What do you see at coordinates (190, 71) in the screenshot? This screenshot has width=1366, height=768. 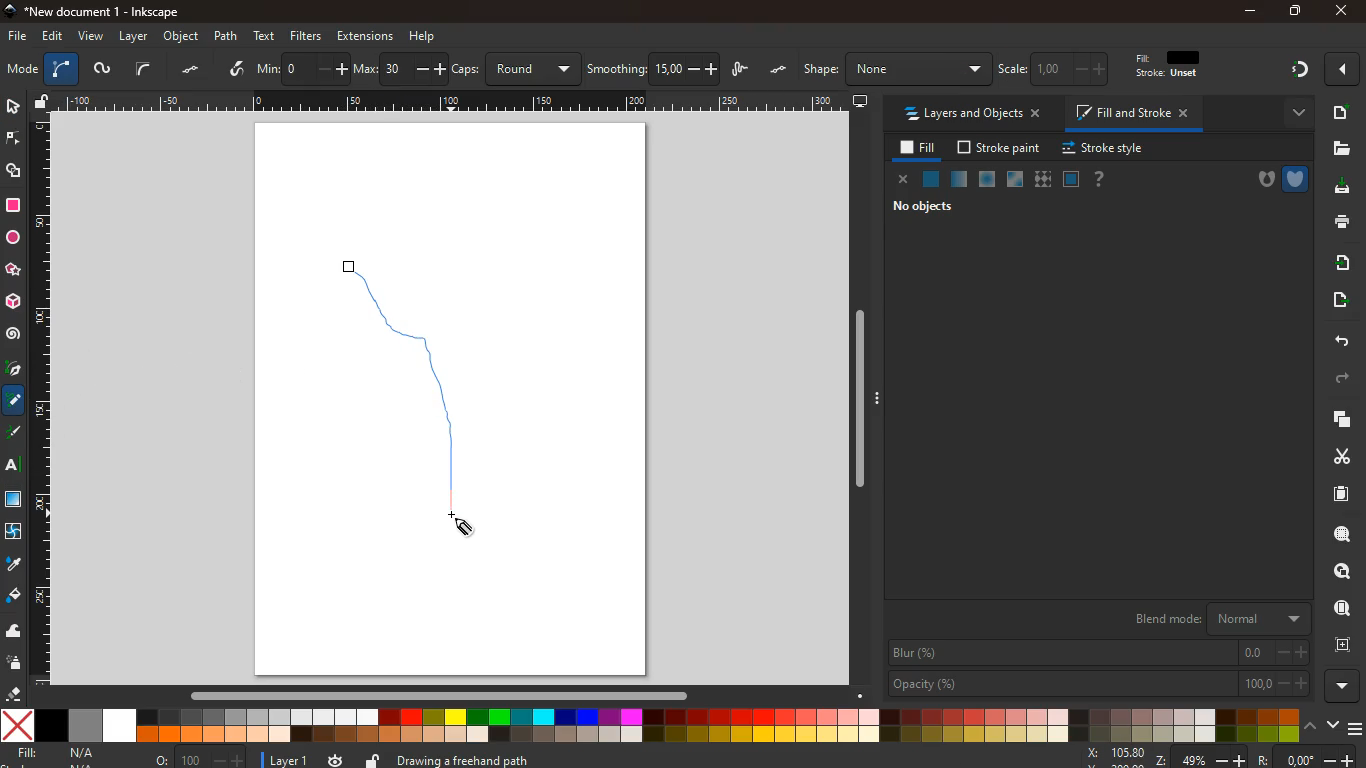 I see `tilt` at bounding box center [190, 71].